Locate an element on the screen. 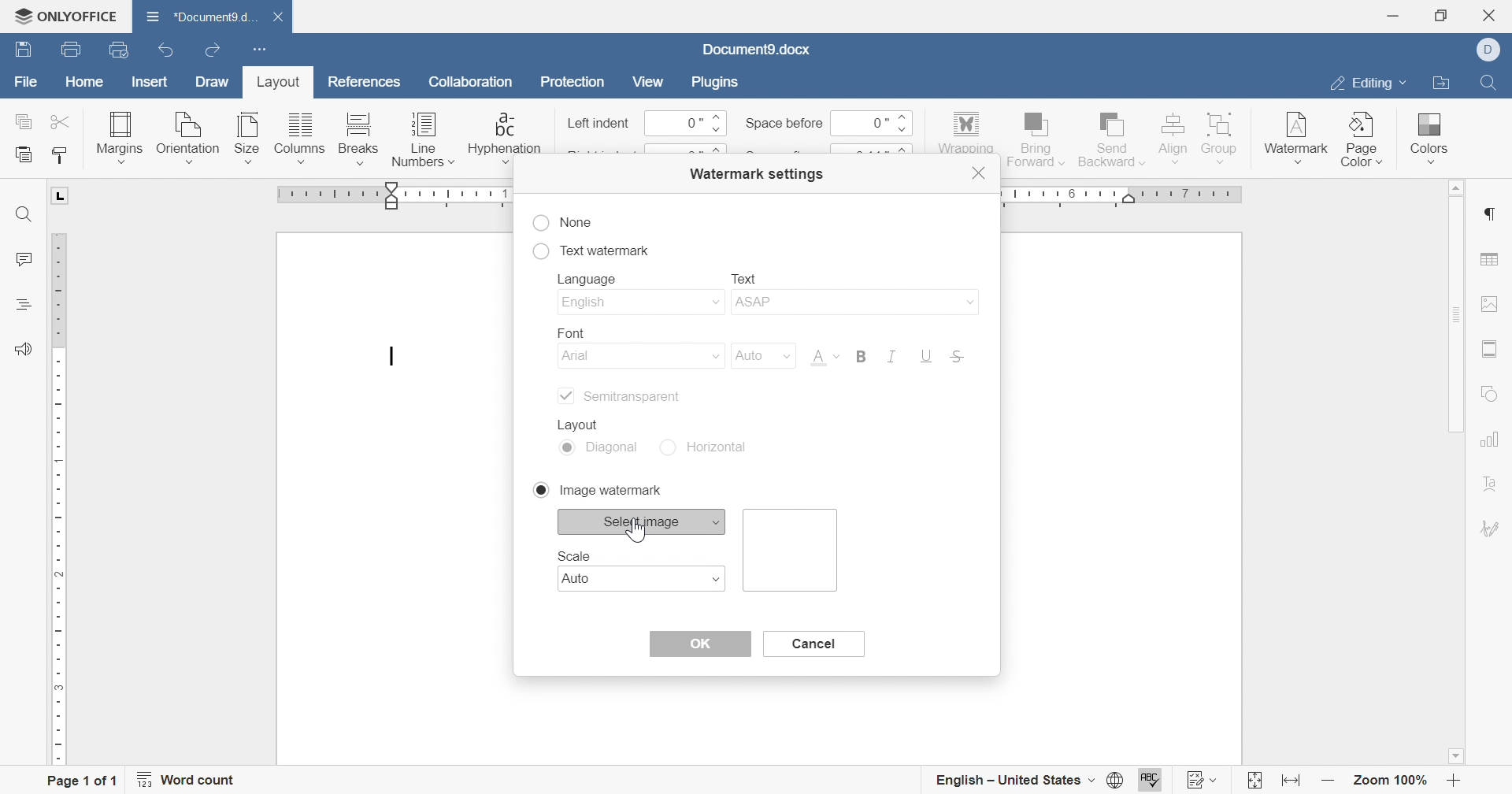 This screenshot has width=1512, height=794. customize quick access toolbar is located at coordinates (256, 47).